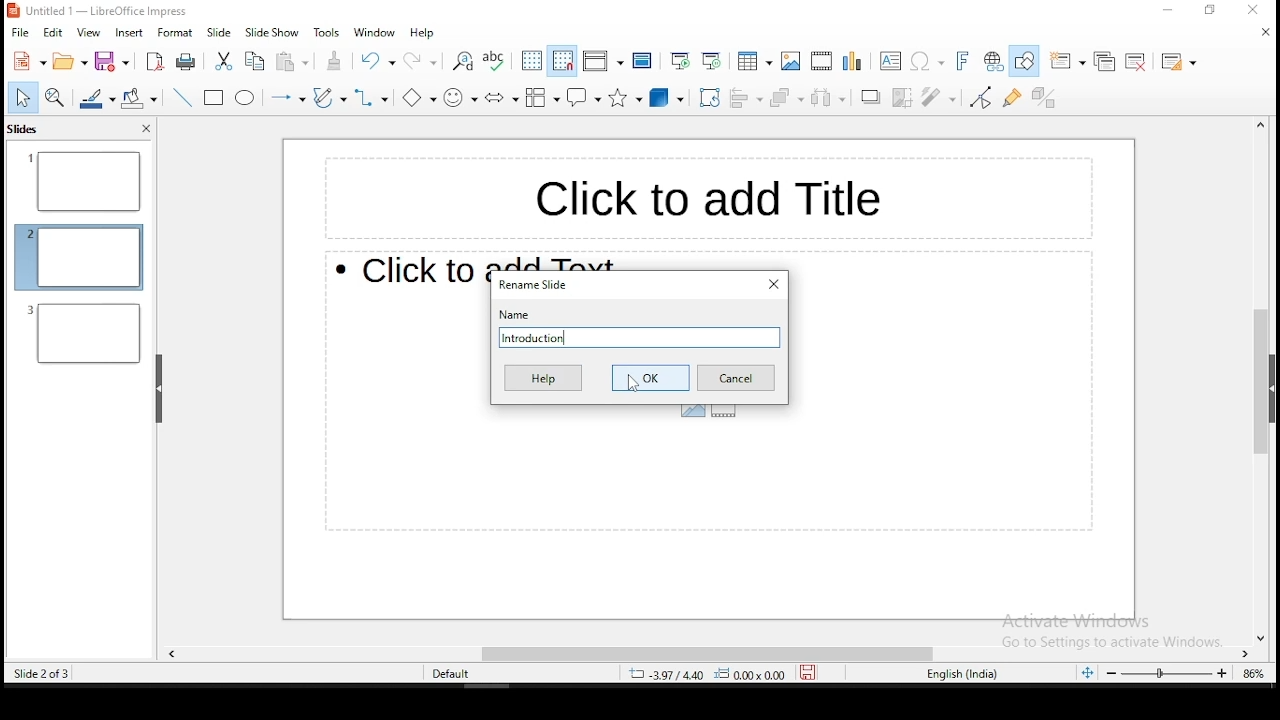  Describe the element at coordinates (1084, 673) in the screenshot. I see `fit slide to current window` at that location.